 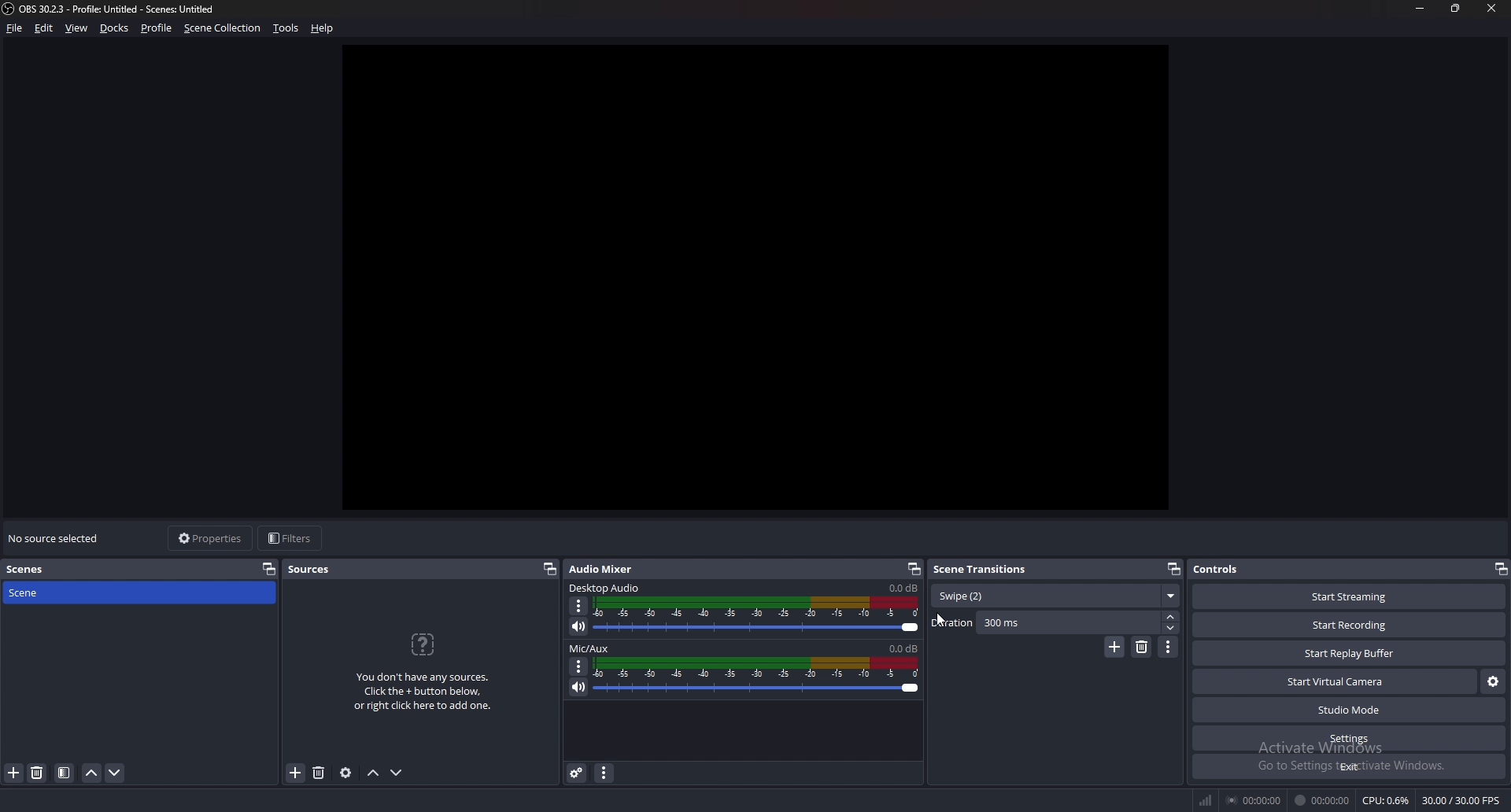 What do you see at coordinates (1350, 653) in the screenshot?
I see `start play buffer` at bounding box center [1350, 653].